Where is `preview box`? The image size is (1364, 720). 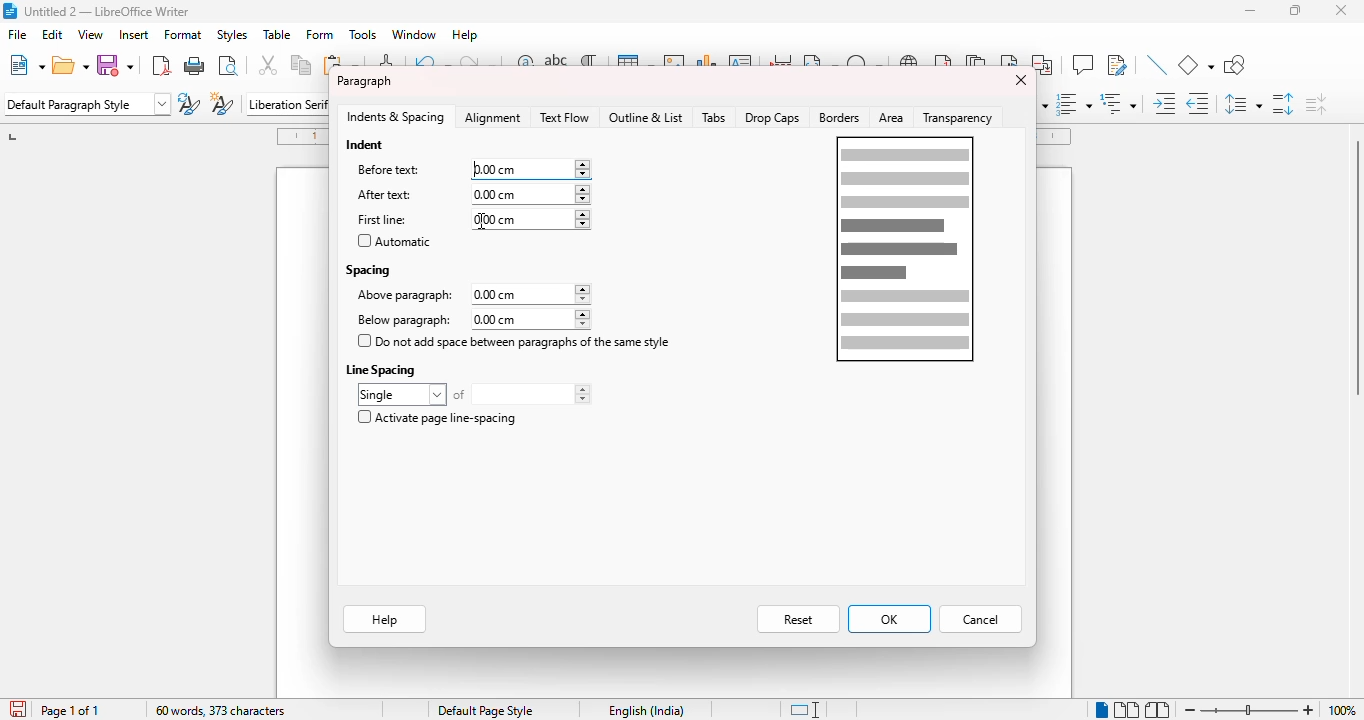 preview box is located at coordinates (905, 249).